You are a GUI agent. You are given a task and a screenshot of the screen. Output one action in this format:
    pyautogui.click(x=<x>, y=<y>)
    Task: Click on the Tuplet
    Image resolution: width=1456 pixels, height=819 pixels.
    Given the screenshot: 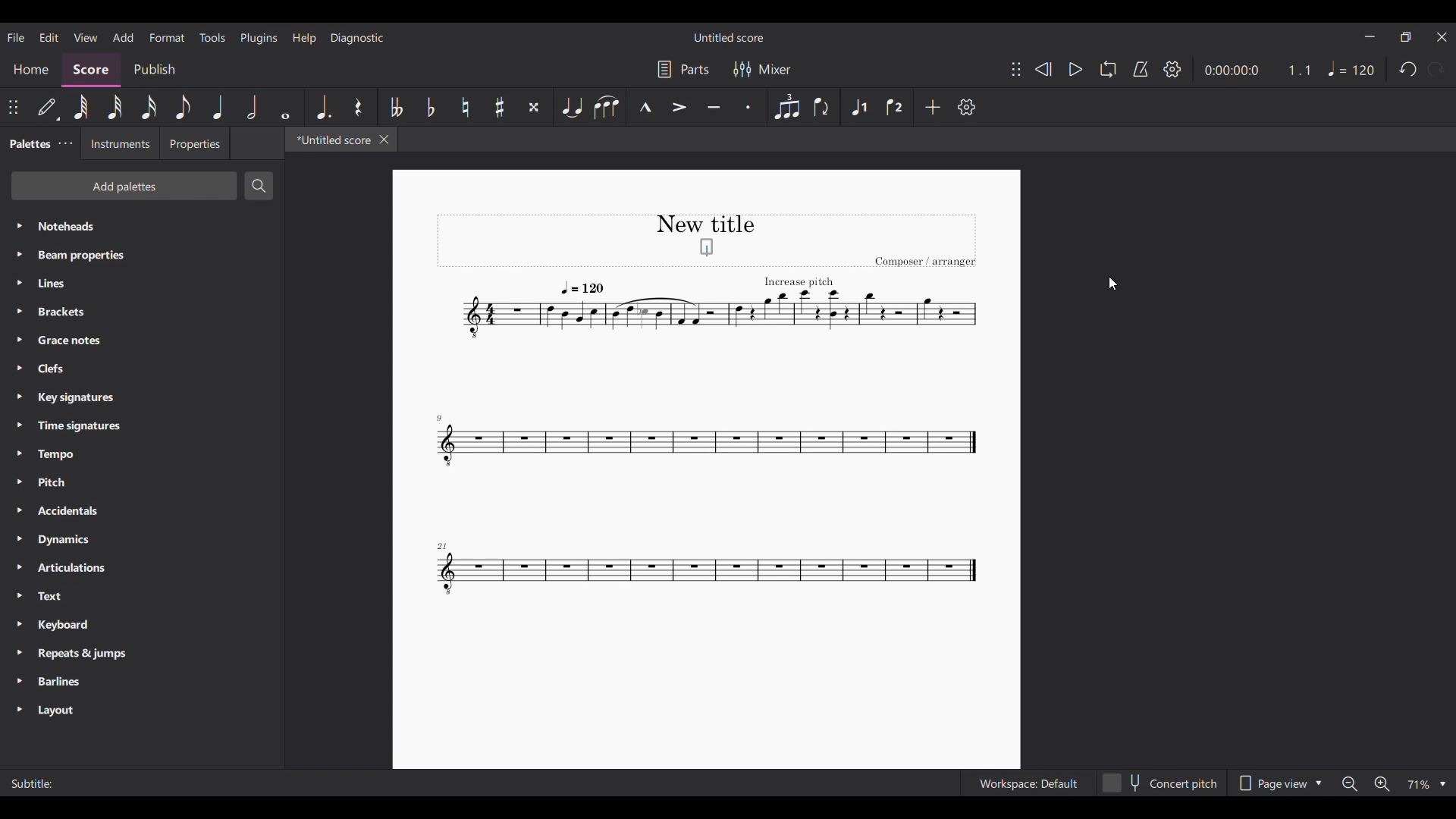 What is the action you would take?
    pyautogui.click(x=786, y=107)
    